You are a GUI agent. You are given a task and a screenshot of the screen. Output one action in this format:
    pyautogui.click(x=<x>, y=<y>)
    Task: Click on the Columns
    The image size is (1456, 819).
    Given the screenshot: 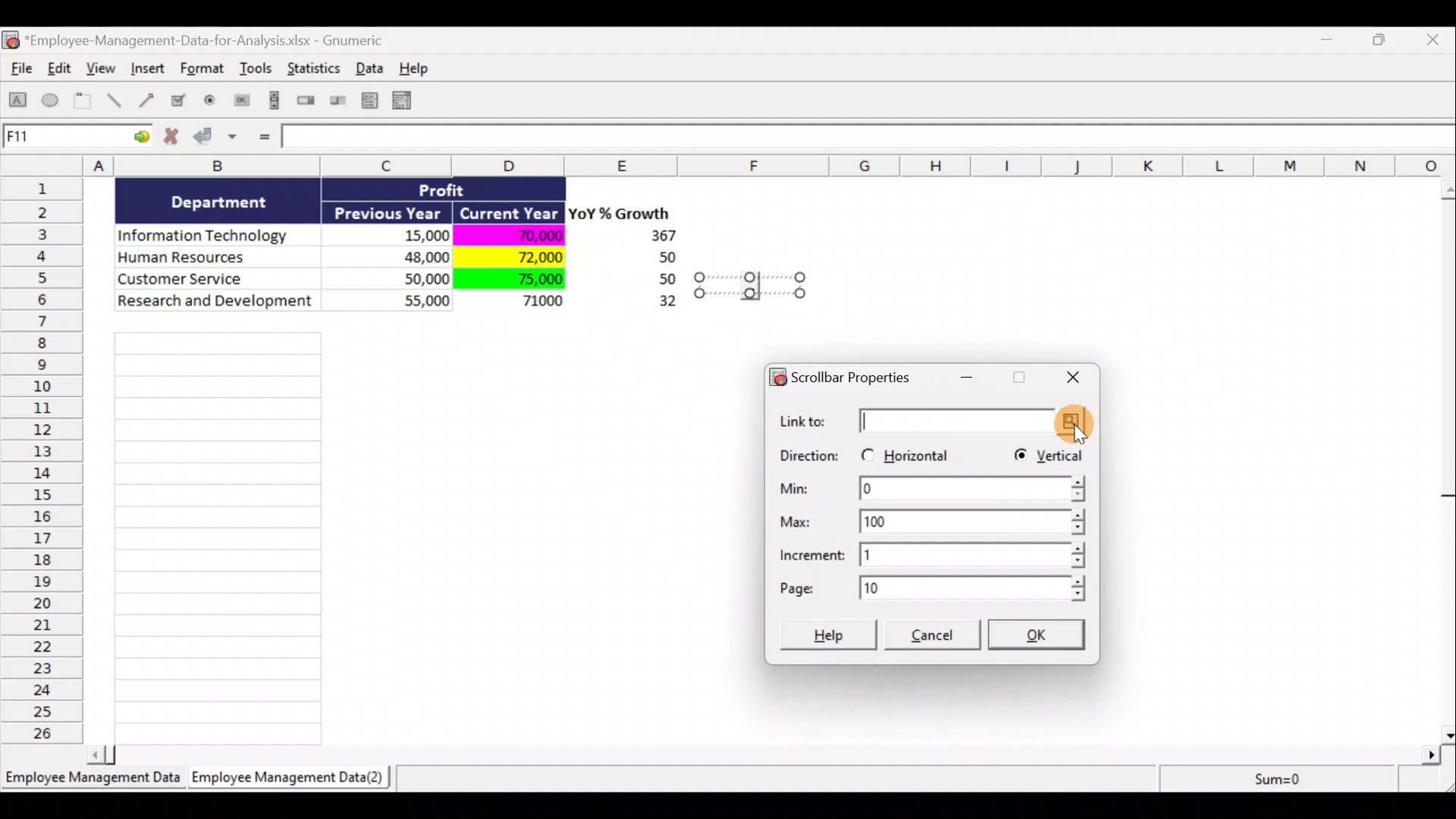 What is the action you would take?
    pyautogui.click(x=733, y=165)
    